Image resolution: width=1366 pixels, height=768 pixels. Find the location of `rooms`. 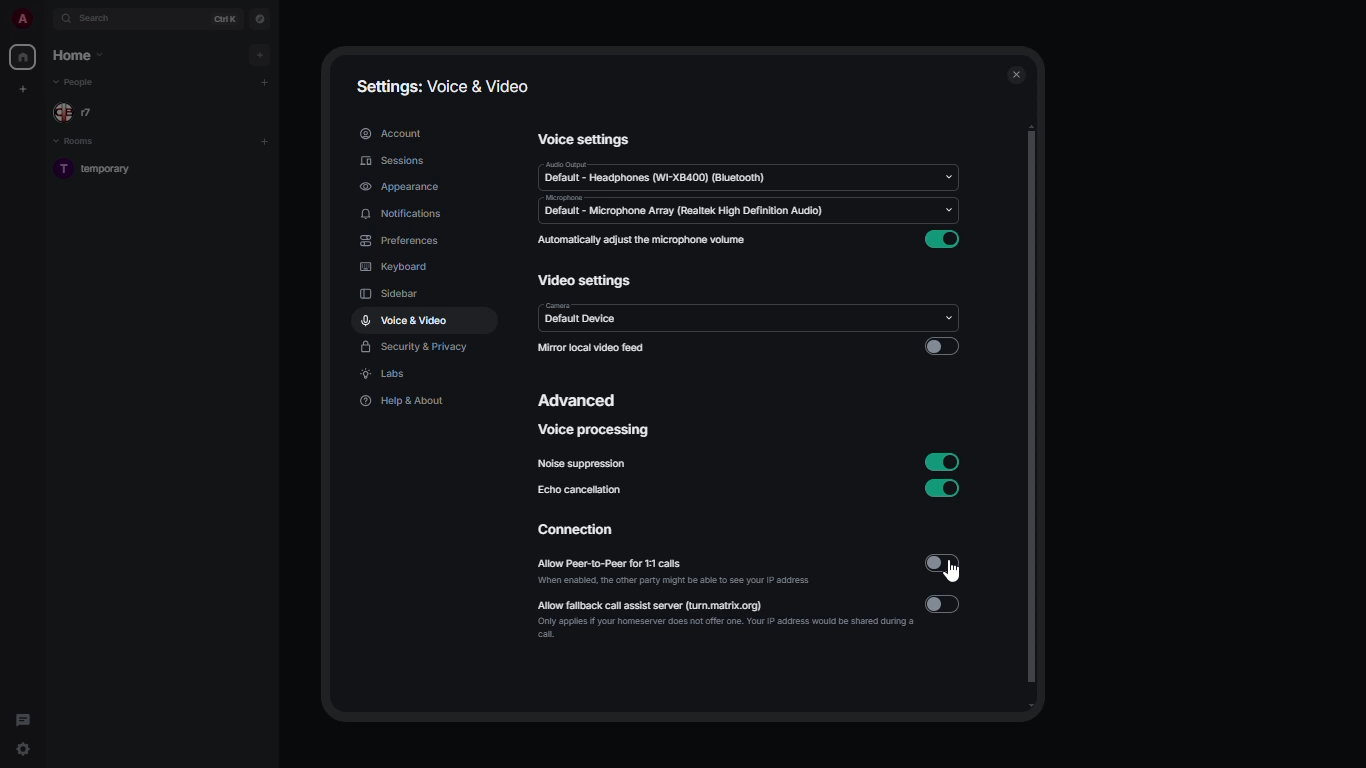

rooms is located at coordinates (80, 140).